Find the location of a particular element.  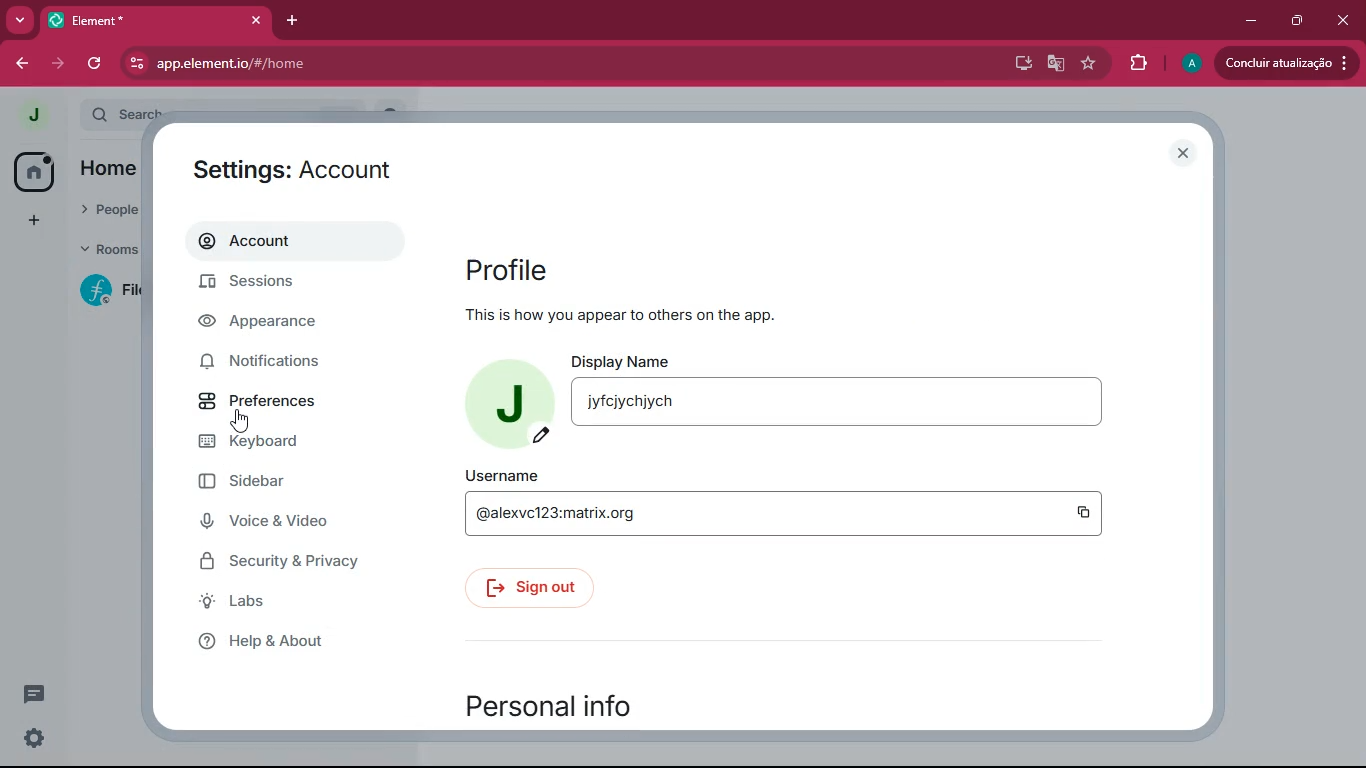

add tab is located at coordinates (291, 21).